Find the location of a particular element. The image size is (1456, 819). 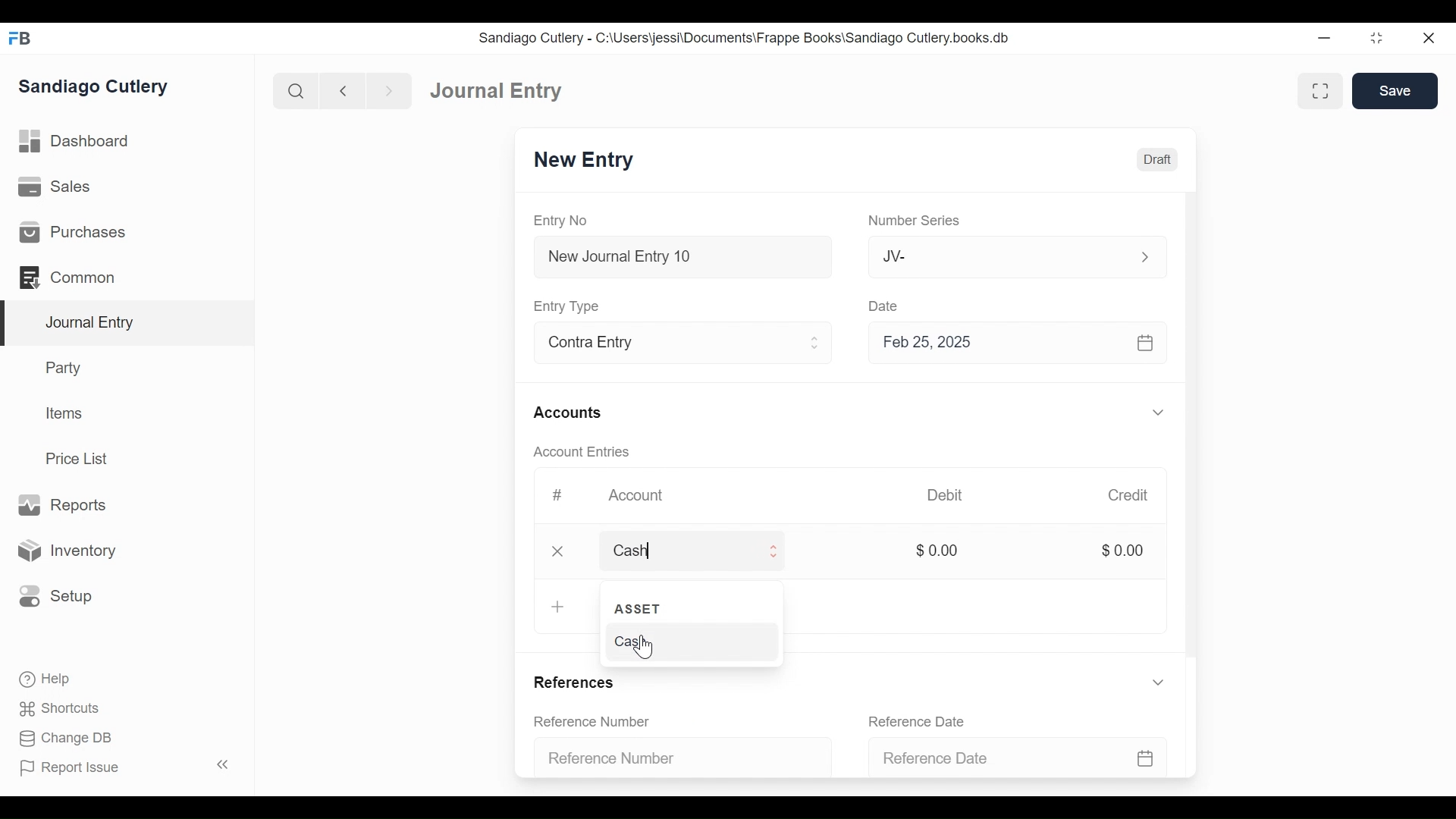

Expand is located at coordinates (773, 552).